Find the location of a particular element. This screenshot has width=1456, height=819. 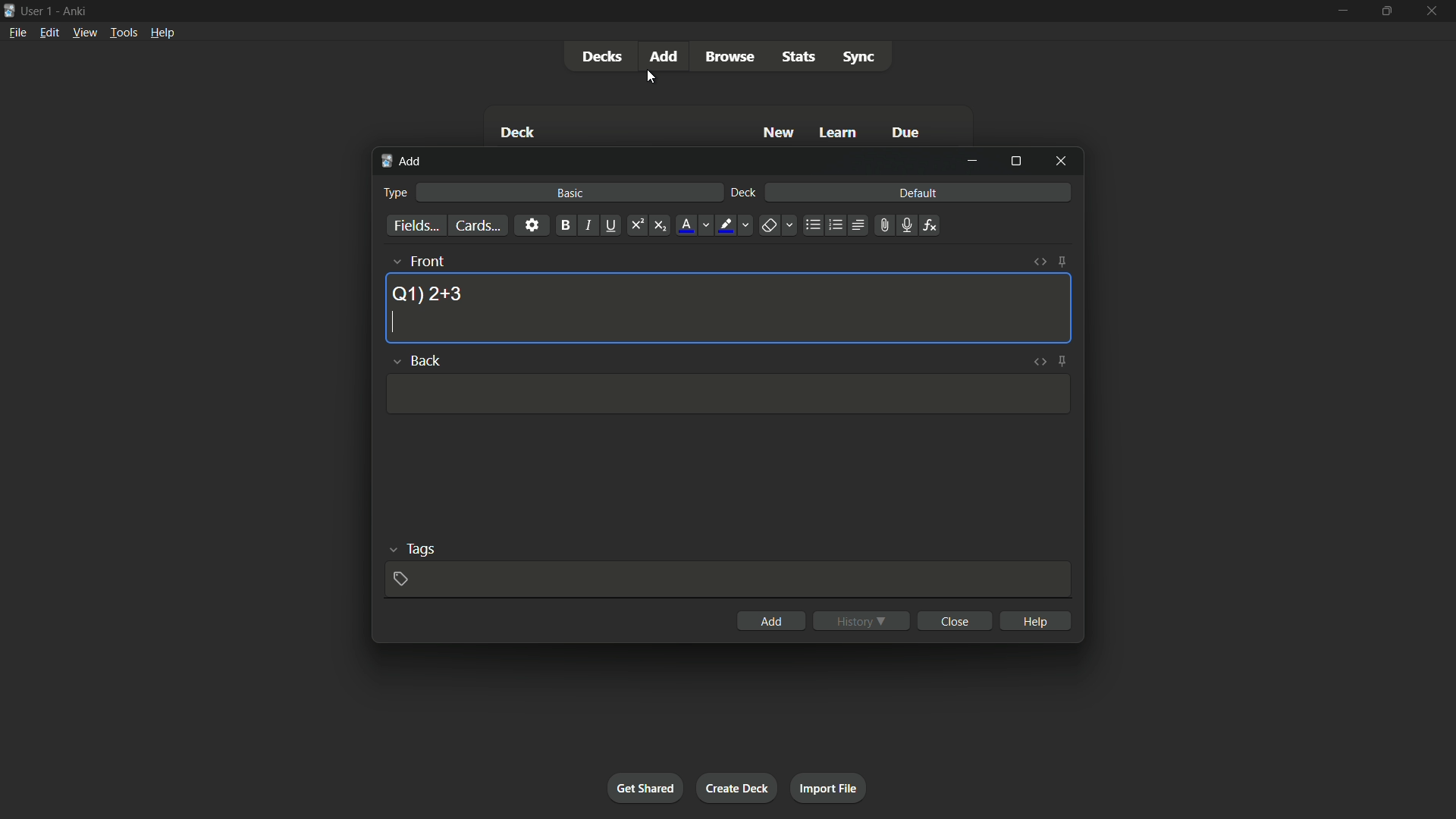

help is located at coordinates (1037, 620).